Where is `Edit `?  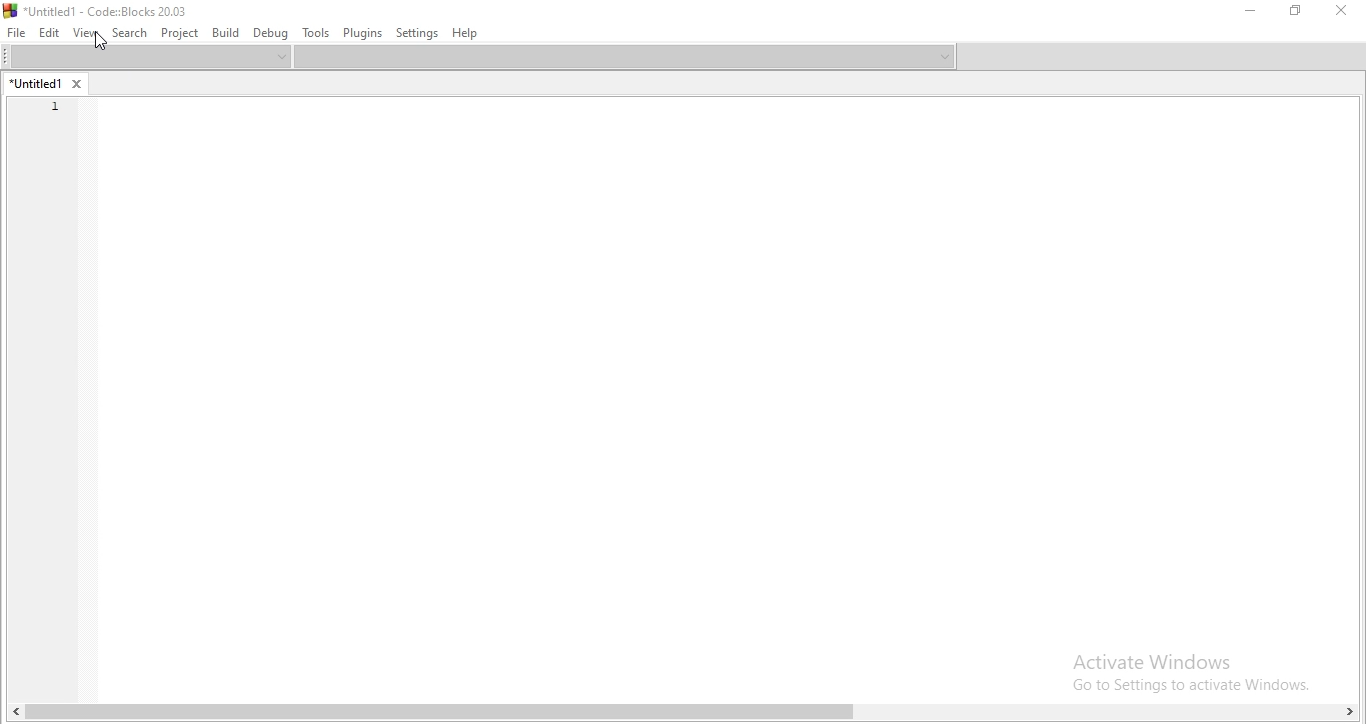 Edit  is located at coordinates (50, 33).